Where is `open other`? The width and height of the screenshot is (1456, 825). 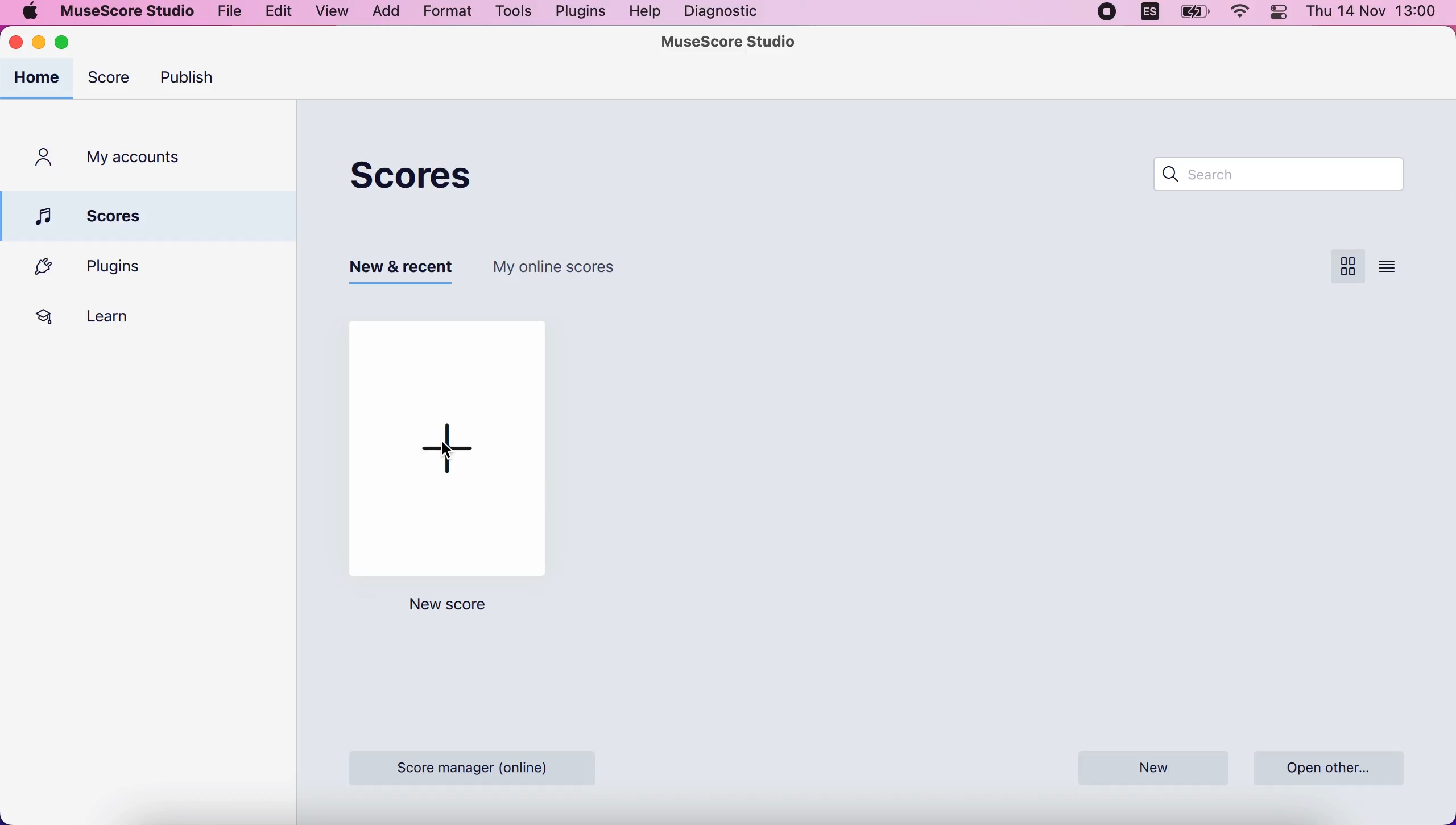
open other is located at coordinates (1330, 765).